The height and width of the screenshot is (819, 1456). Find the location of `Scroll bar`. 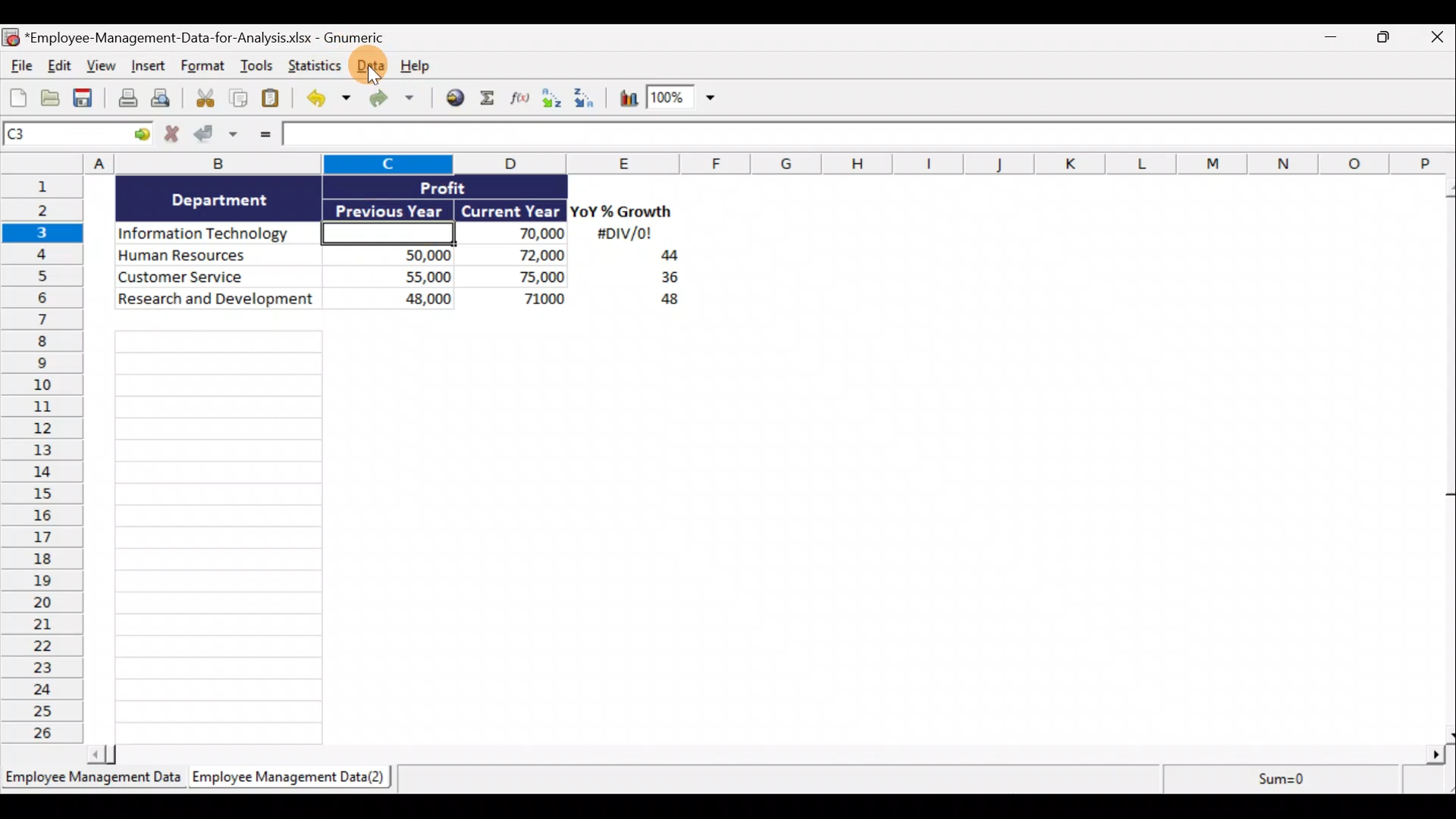

Scroll bar is located at coordinates (771, 752).